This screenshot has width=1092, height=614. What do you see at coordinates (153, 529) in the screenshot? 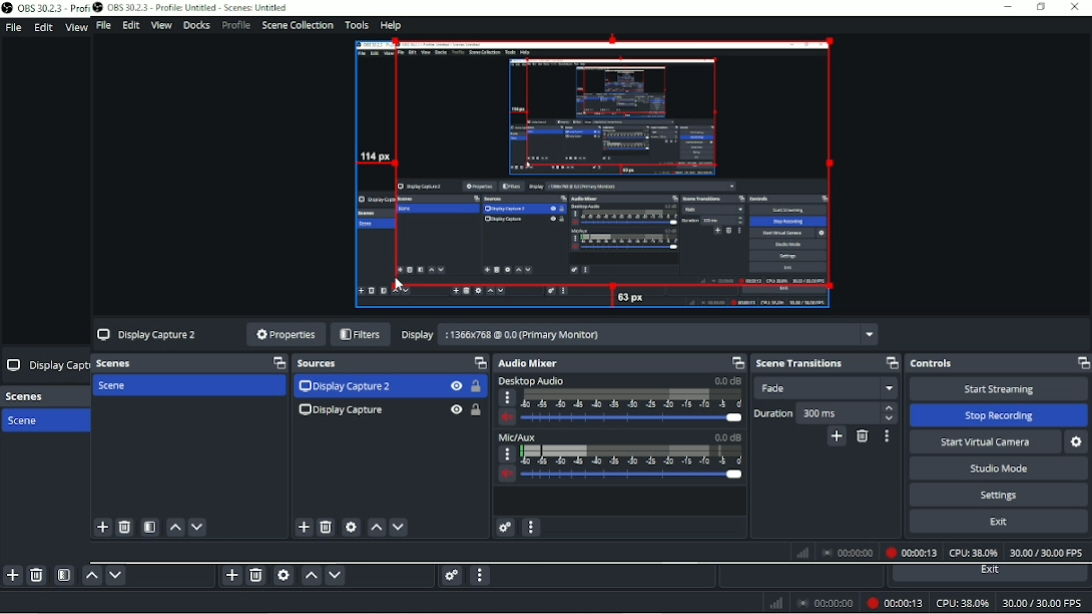
I see `filter` at bounding box center [153, 529].